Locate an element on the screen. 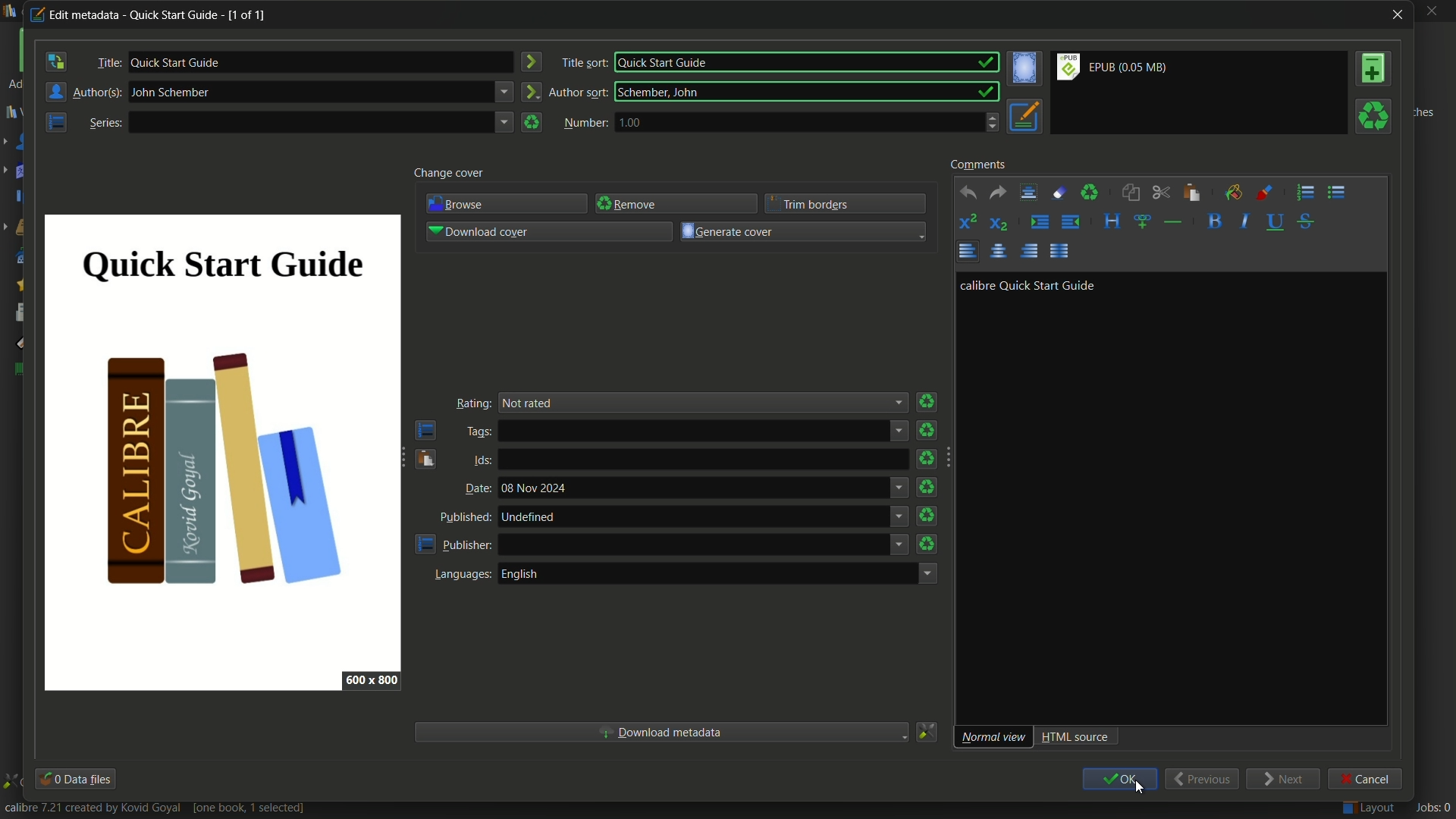  change cover is located at coordinates (448, 173).